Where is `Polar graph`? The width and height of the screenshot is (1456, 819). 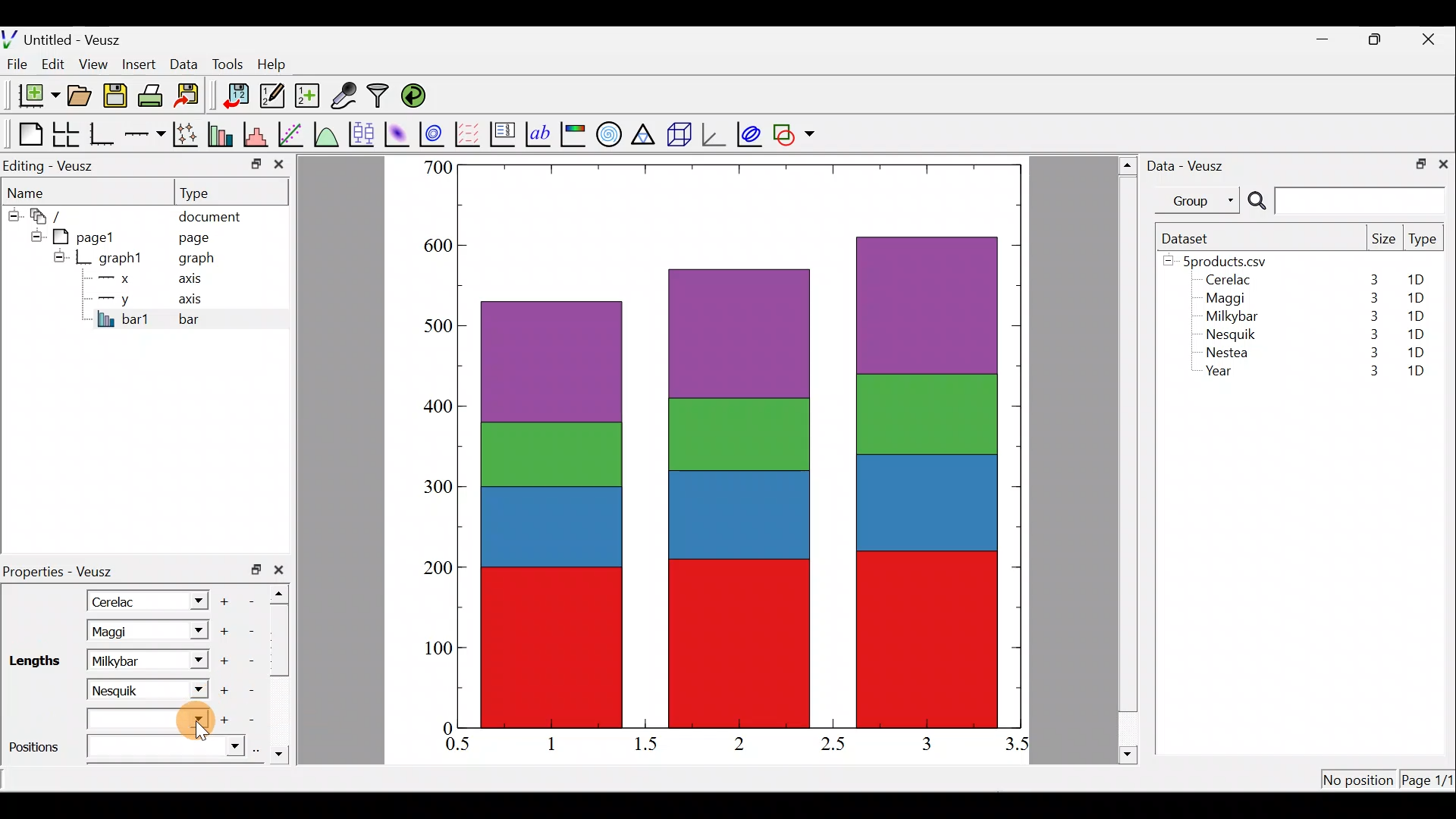
Polar graph is located at coordinates (606, 132).